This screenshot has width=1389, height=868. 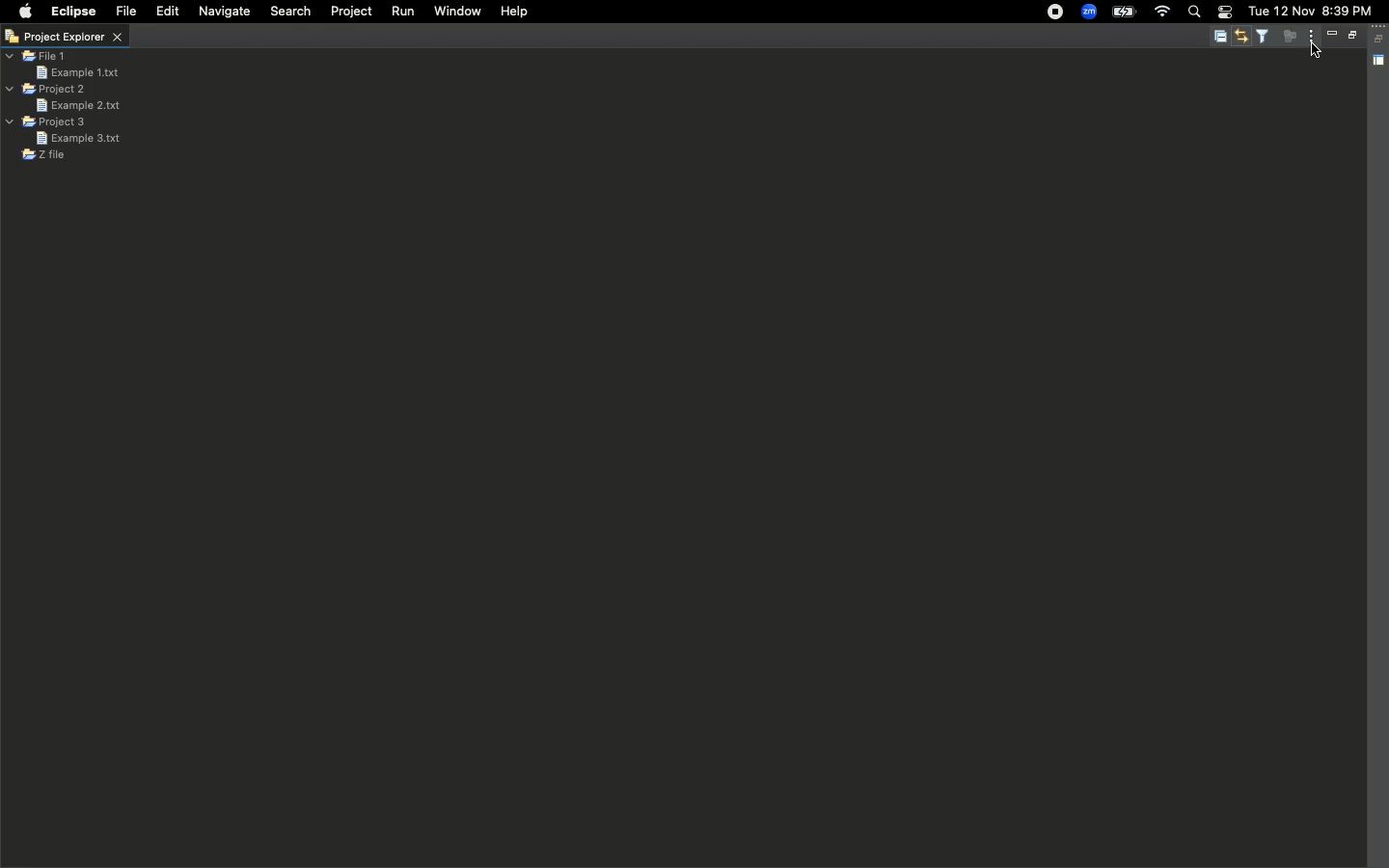 I want to click on Project 2, so click(x=46, y=89).